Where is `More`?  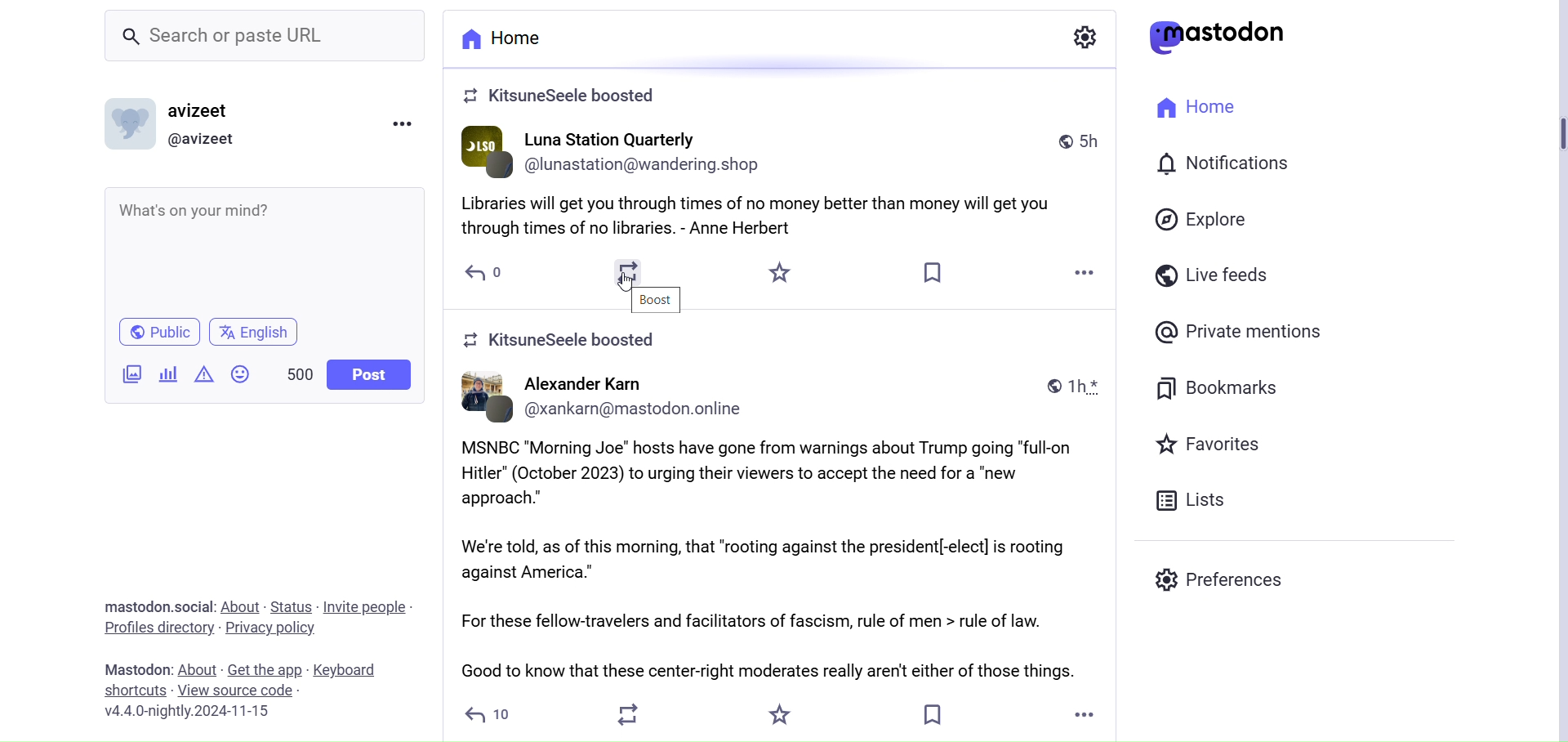 More is located at coordinates (1086, 270).